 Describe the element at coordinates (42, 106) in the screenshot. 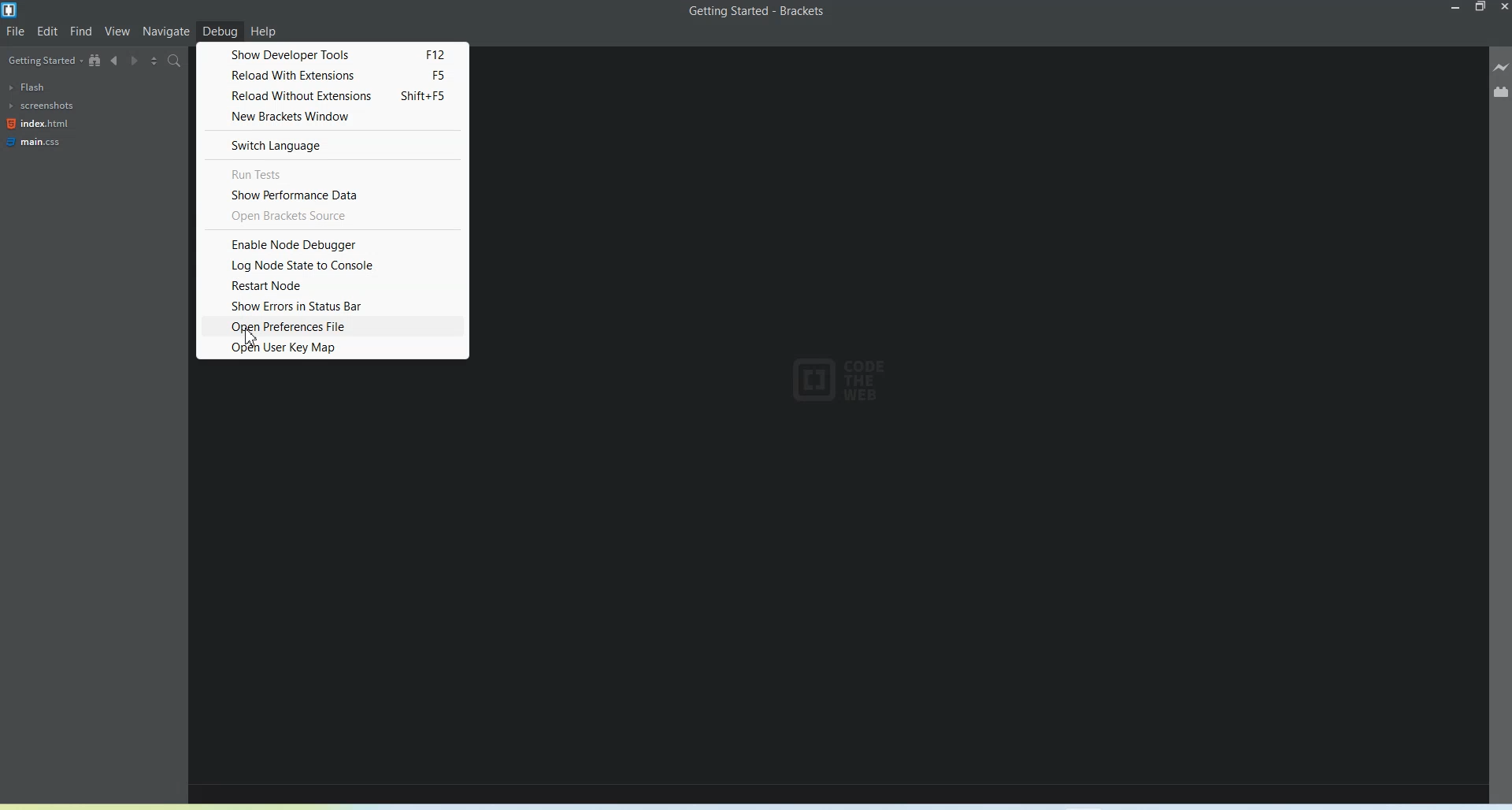

I see `screenshots` at that location.